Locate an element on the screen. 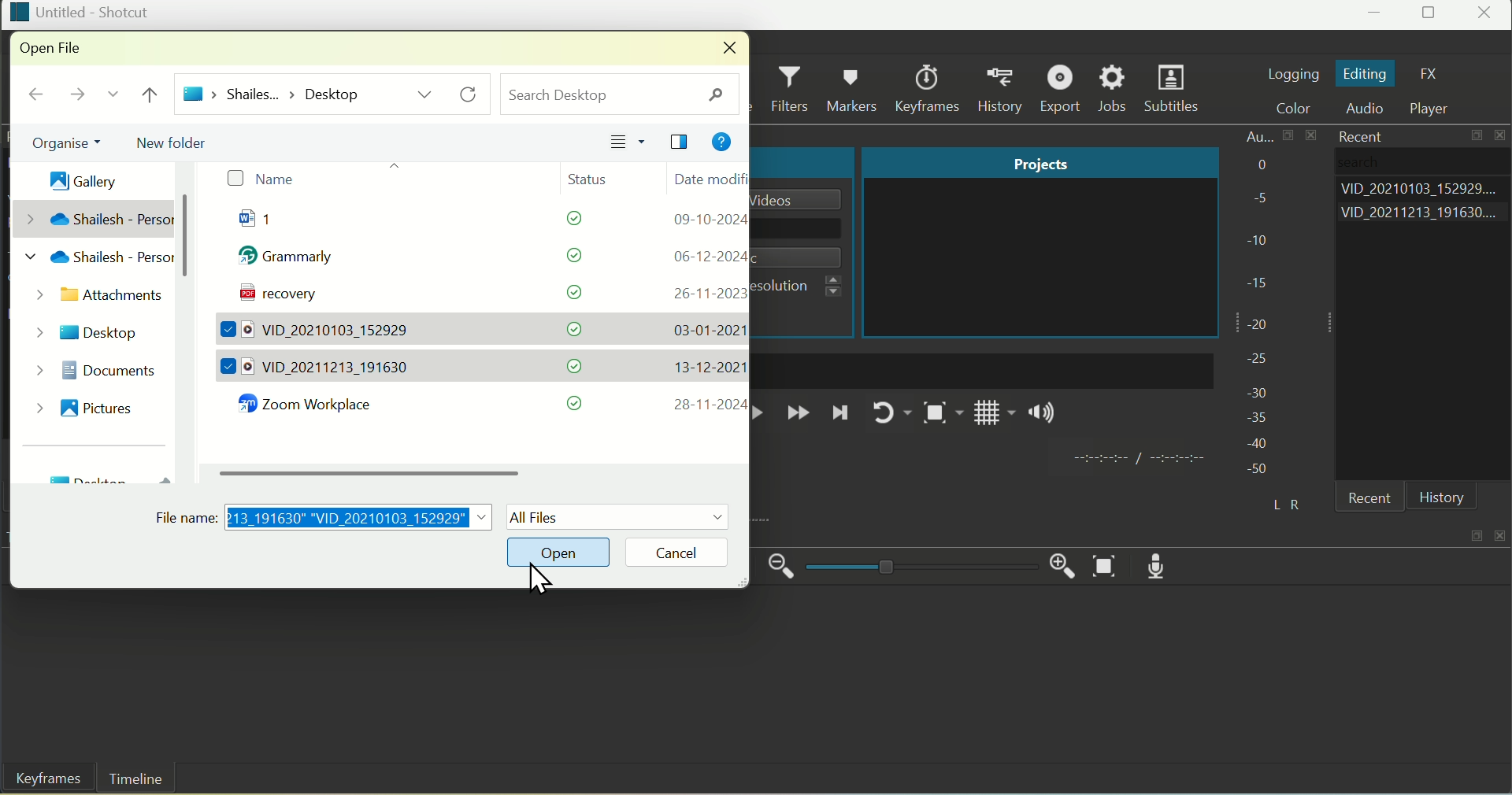 This screenshot has width=1512, height=795. Recent is located at coordinates (1374, 500).